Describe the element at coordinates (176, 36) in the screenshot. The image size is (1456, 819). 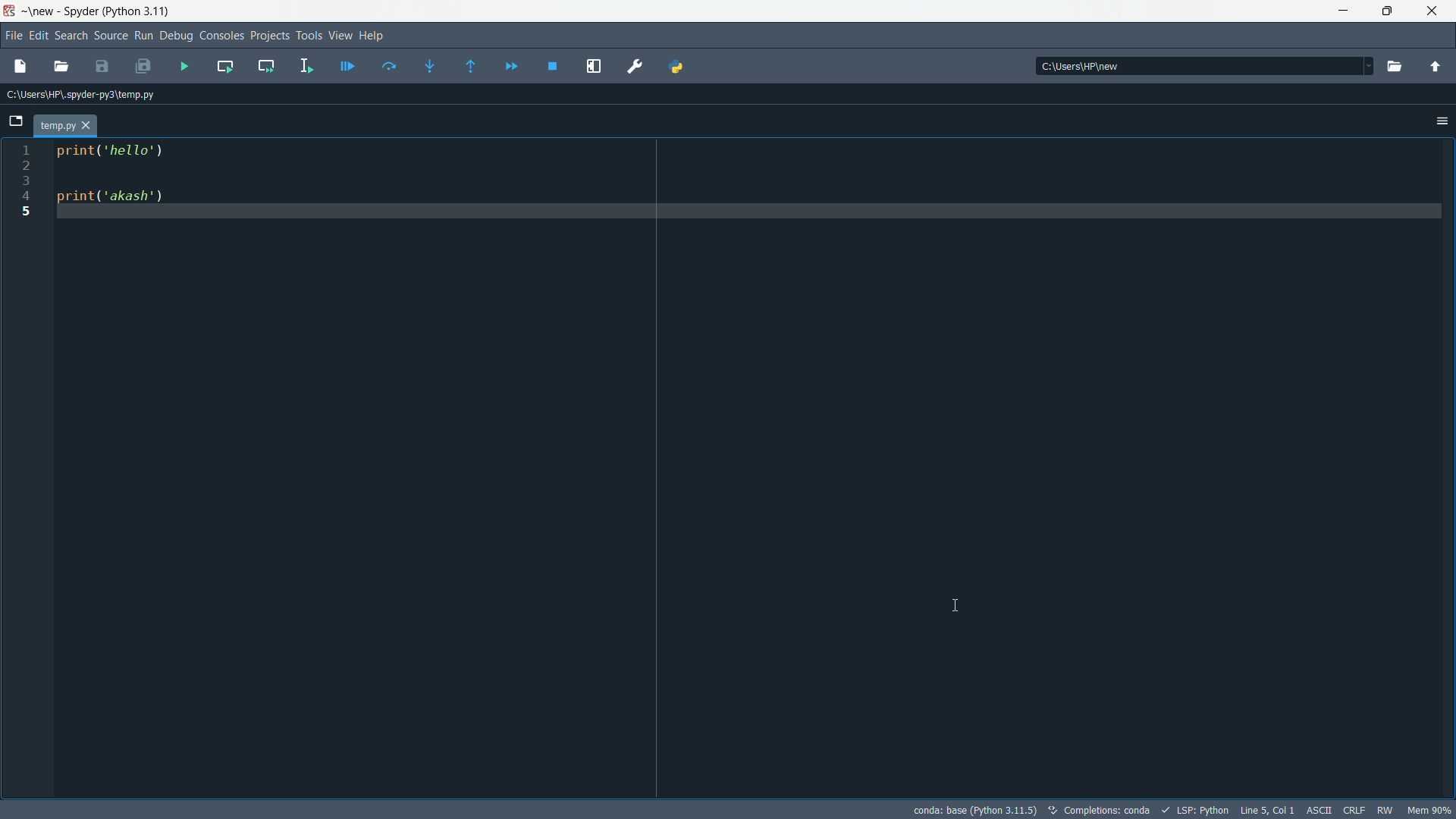
I see `debug menu` at that location.